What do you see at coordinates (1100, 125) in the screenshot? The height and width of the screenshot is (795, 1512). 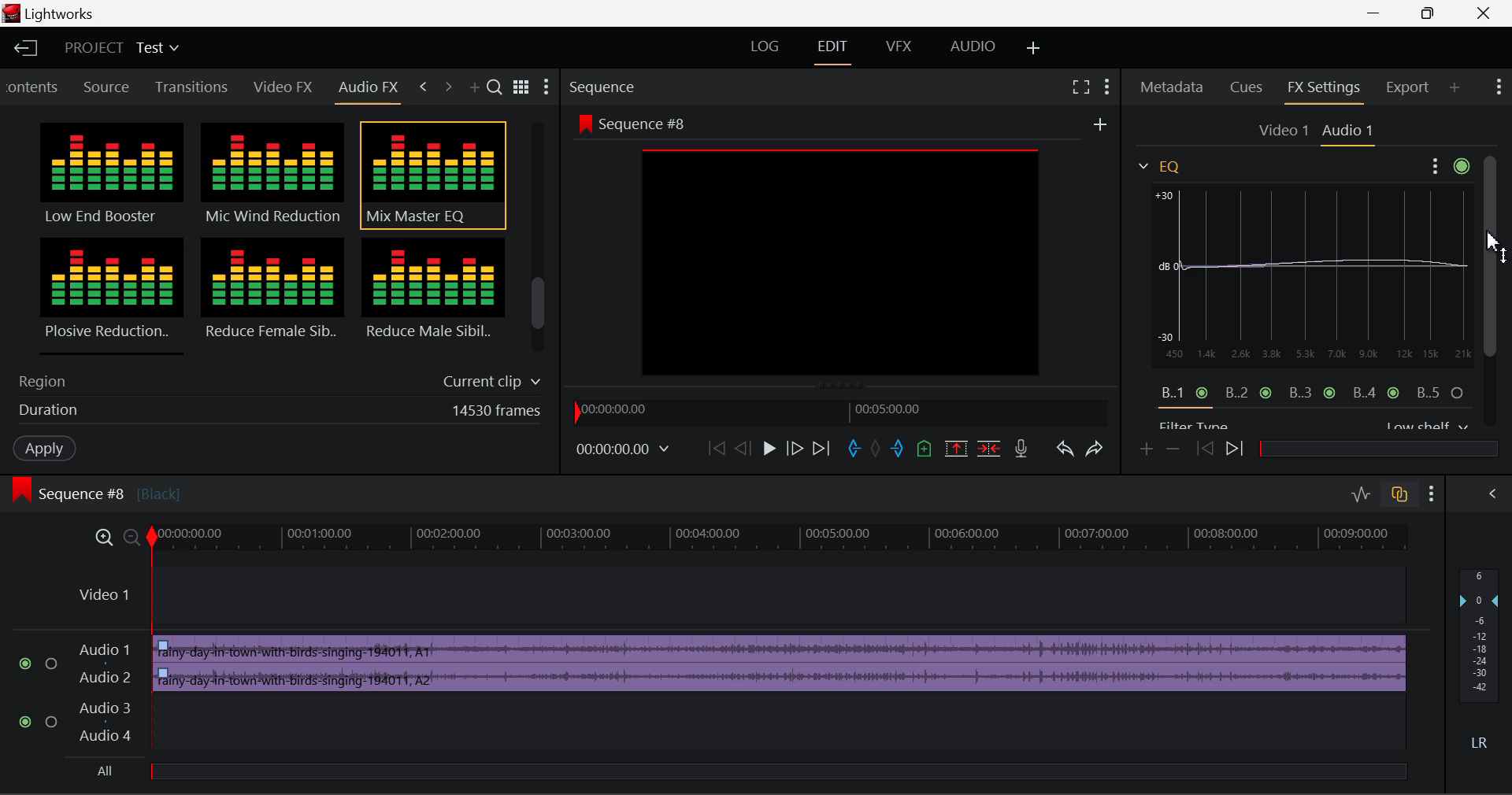 I see `Add` at bounding box center [1100, 125].